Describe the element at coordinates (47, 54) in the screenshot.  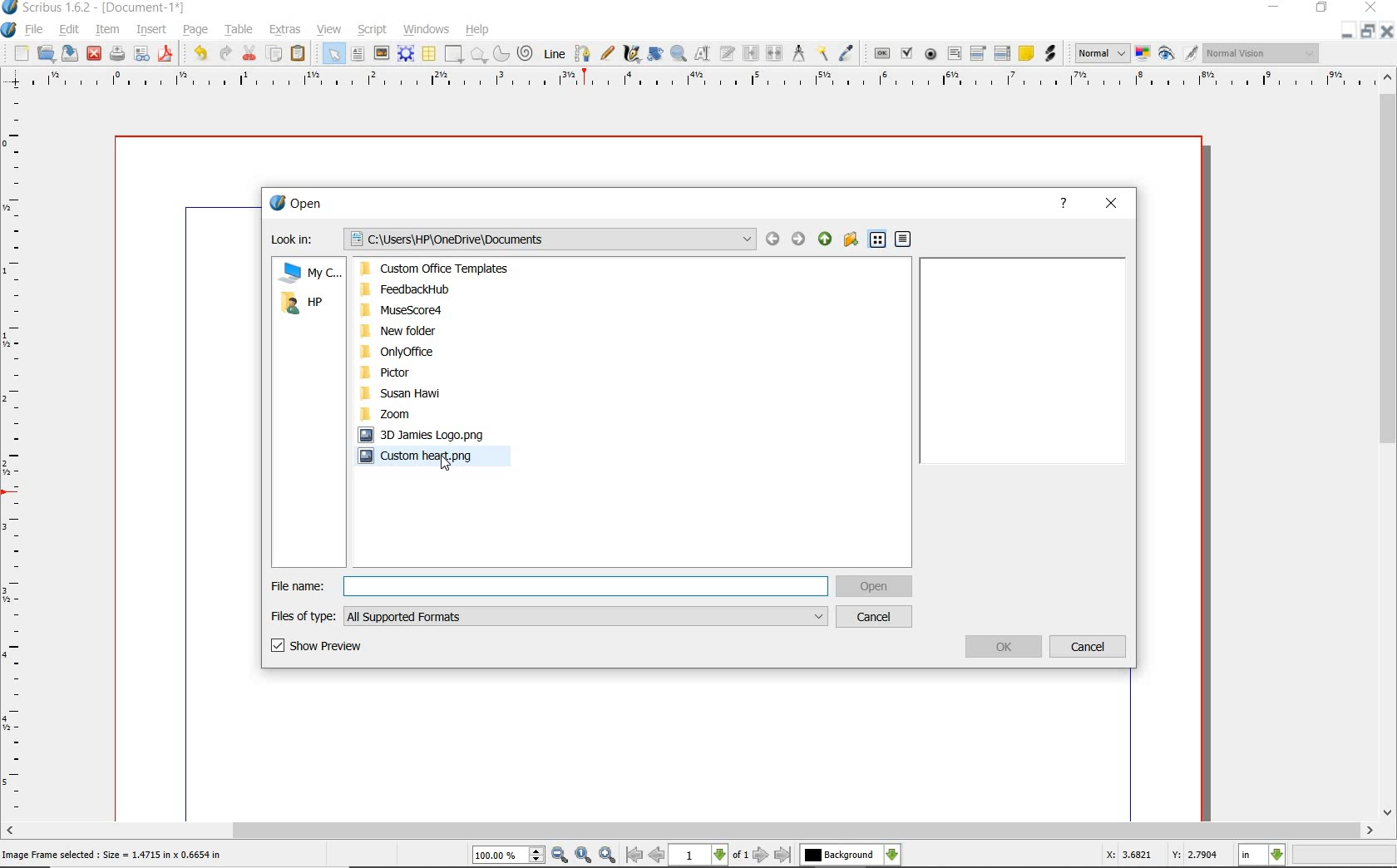
I see `open` at that location.